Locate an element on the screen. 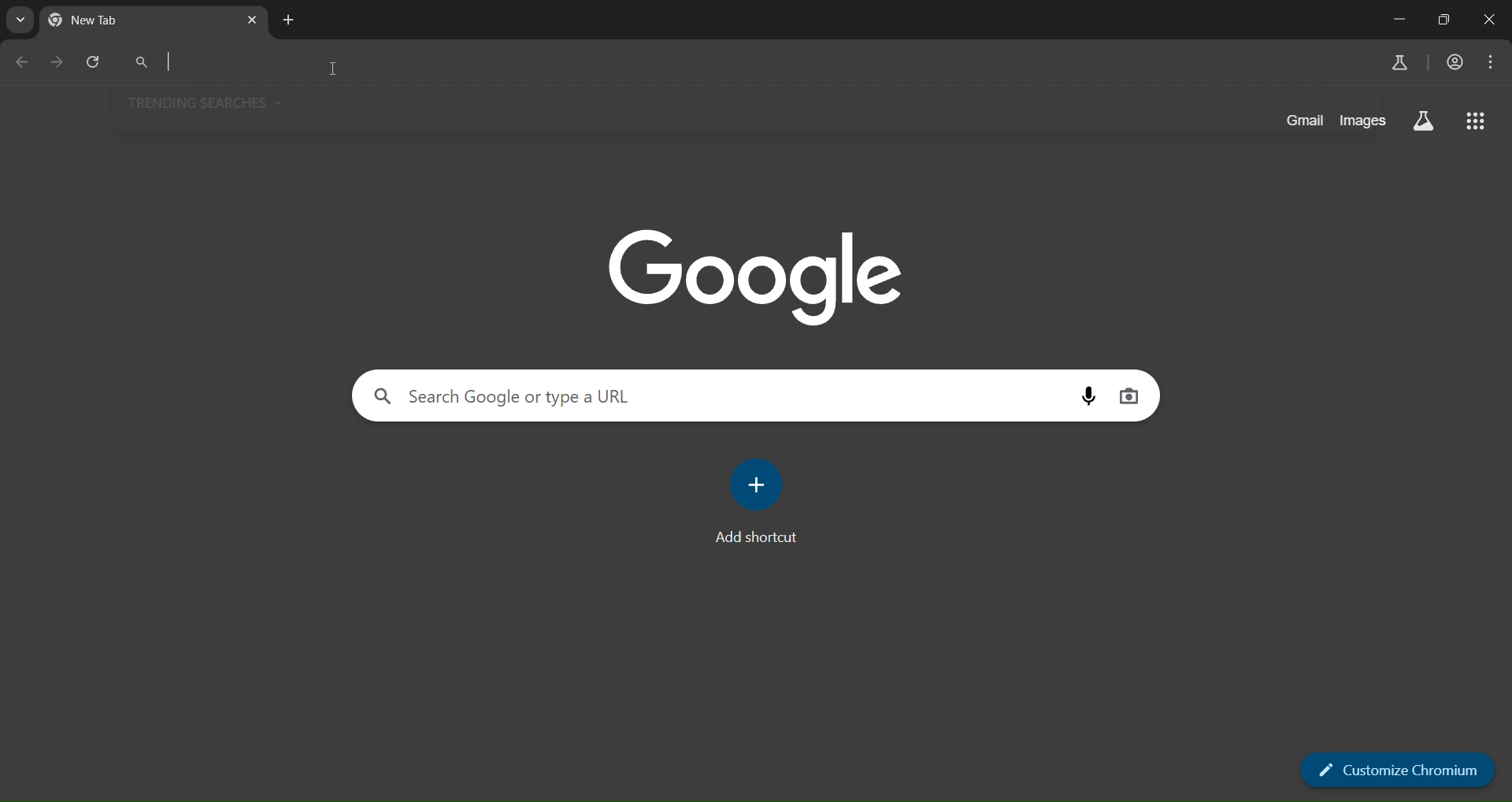 Image resolution: width=1512 pixels, height=802 pixels. customize chromium is located at coordinates (1395, 770).